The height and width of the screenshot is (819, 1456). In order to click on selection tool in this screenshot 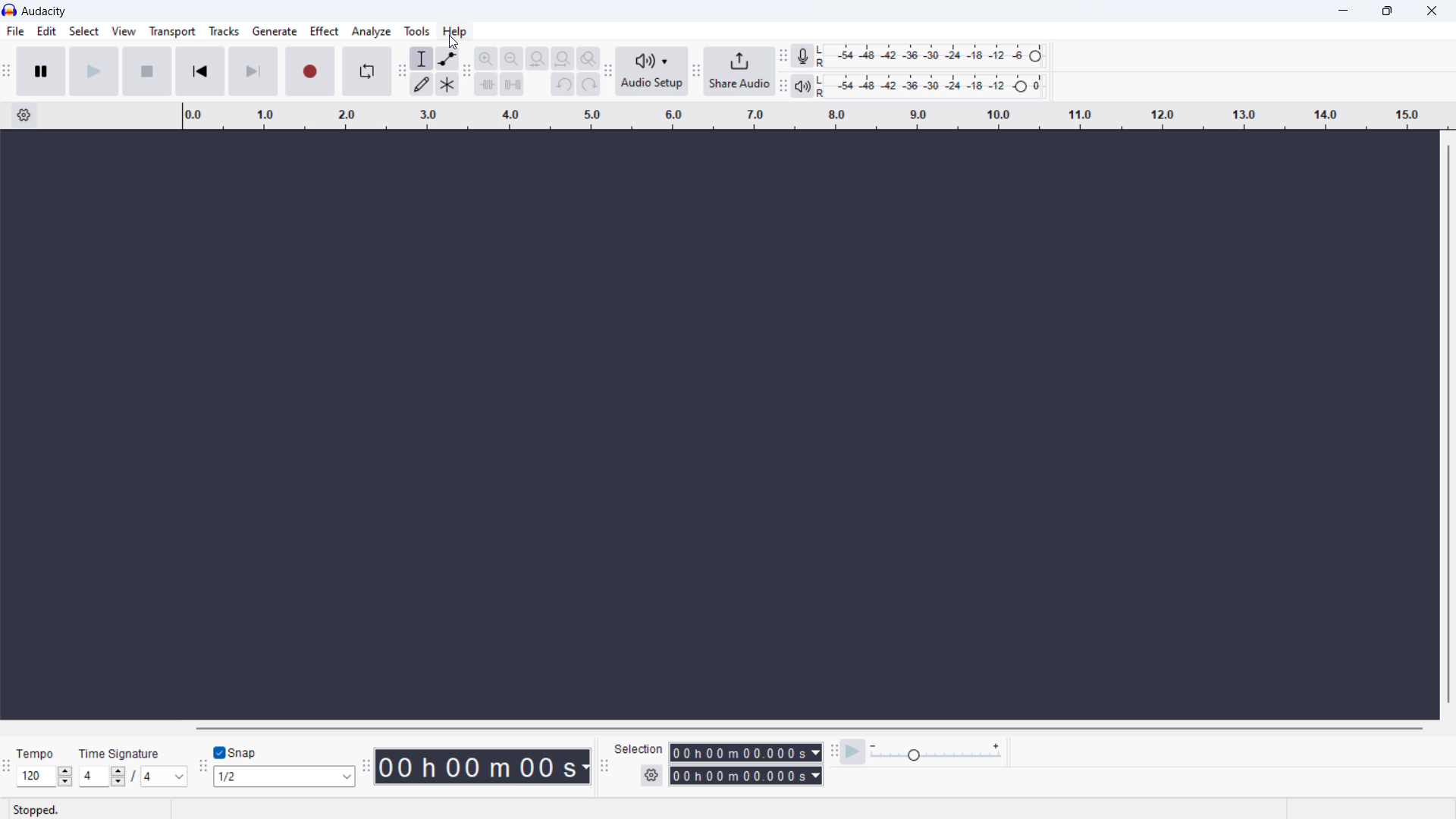, I will do `click(422, 58)`.